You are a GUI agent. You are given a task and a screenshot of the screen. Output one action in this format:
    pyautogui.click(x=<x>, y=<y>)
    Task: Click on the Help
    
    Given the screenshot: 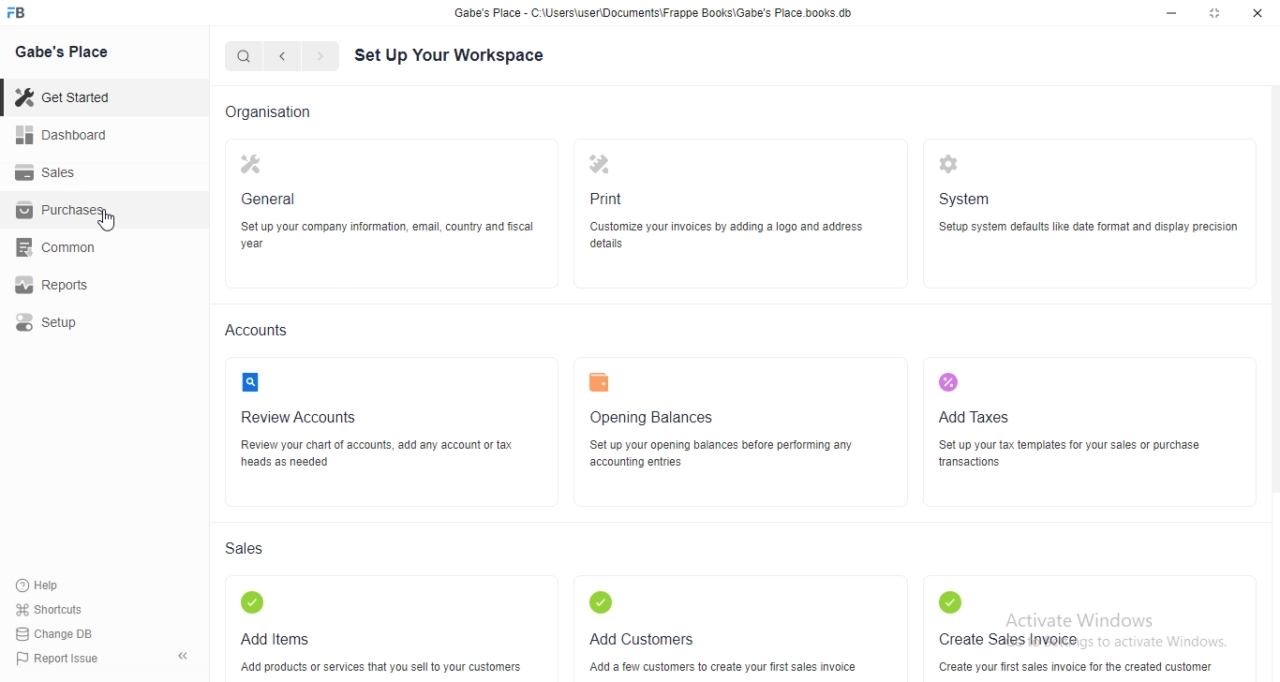 What is the action you would take?
    pyautogui.click(x=49, y=586)
    